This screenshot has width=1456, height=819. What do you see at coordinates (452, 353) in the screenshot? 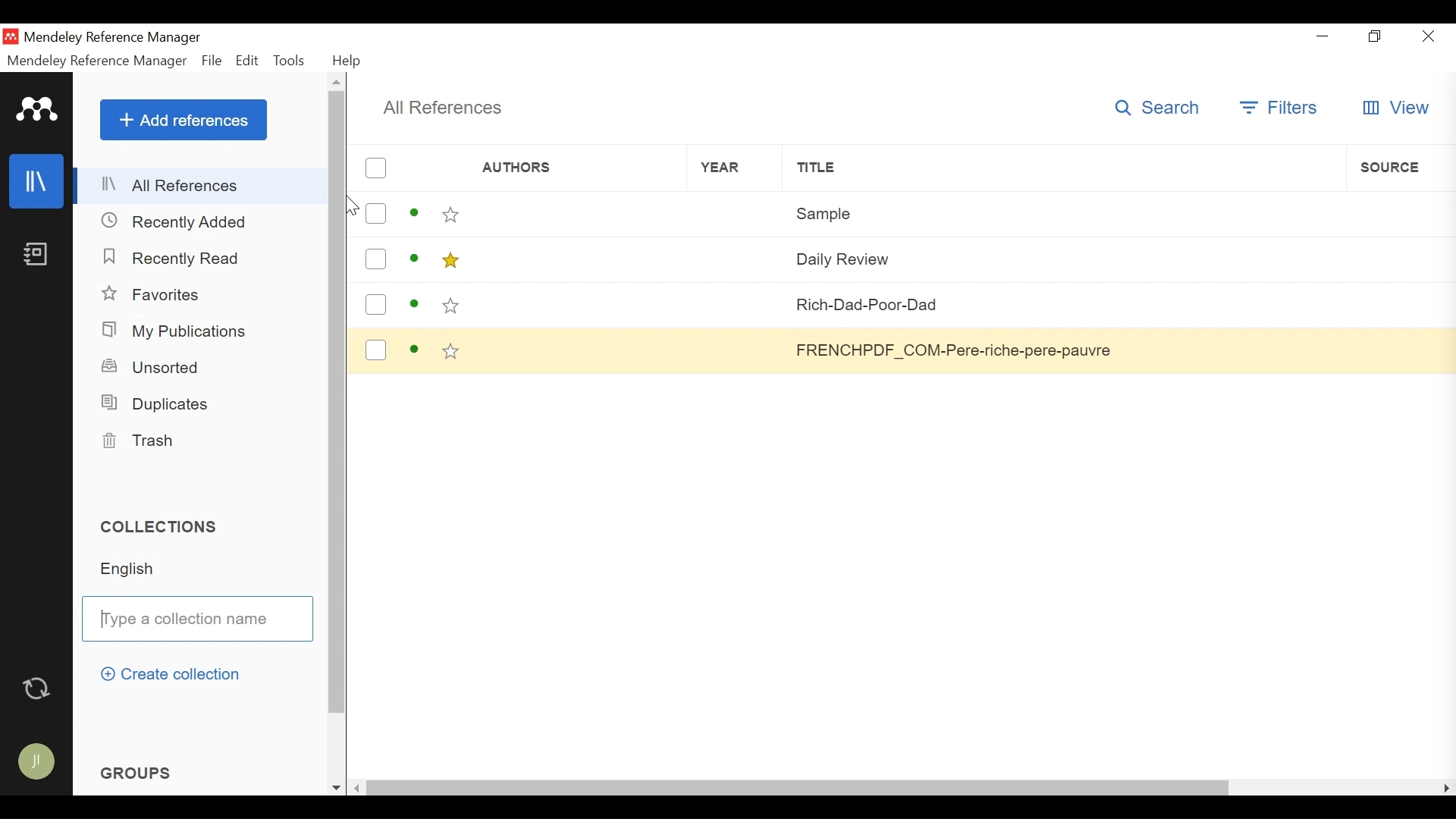
I see `Toggle favorites` at bounding box center [452, 353].